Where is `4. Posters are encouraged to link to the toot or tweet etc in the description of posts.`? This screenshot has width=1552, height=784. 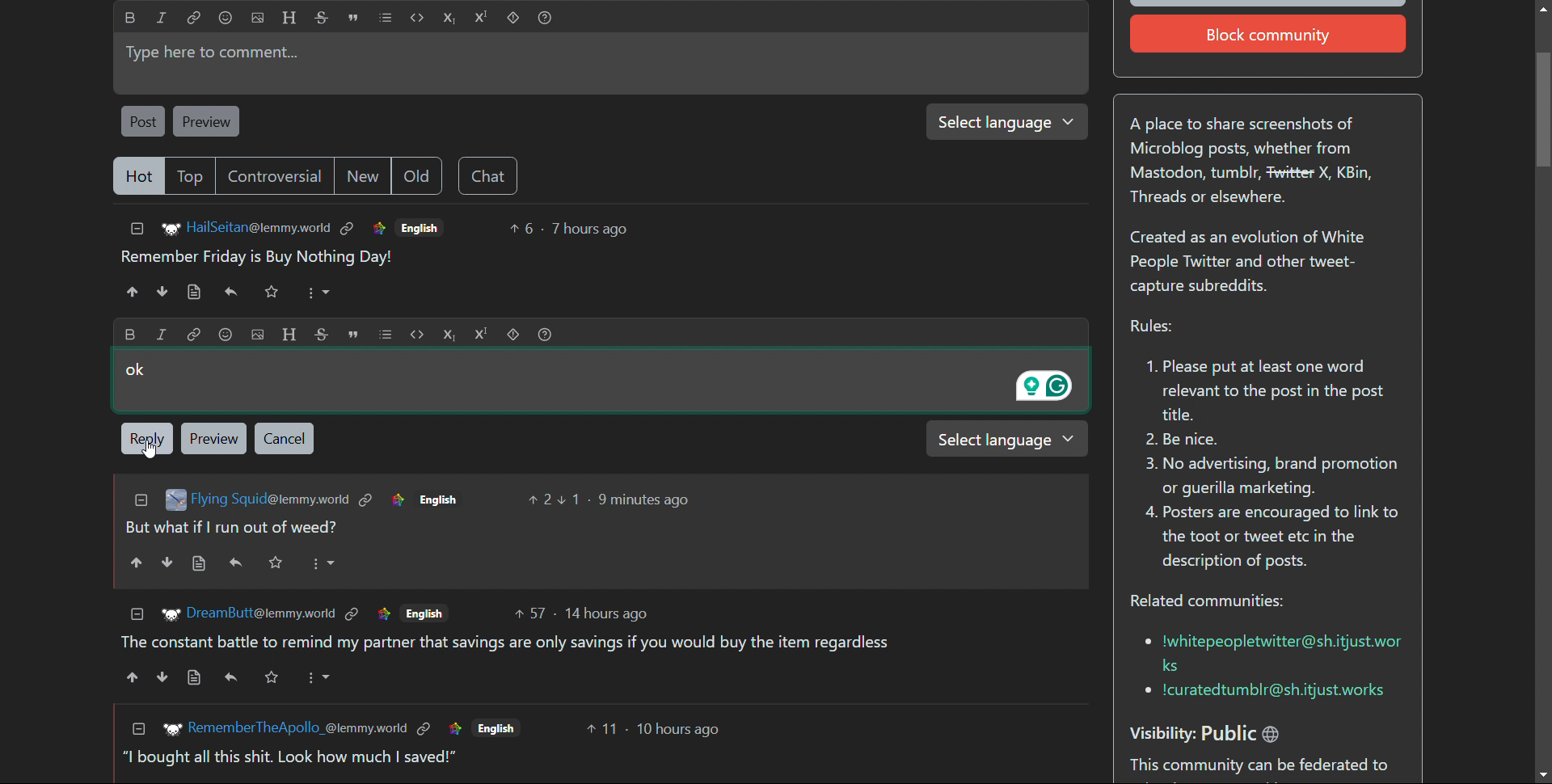 4. Posters are encouraged to link to the toot or tweet etc in the description of posts. is located at coordinates (1272, 541).